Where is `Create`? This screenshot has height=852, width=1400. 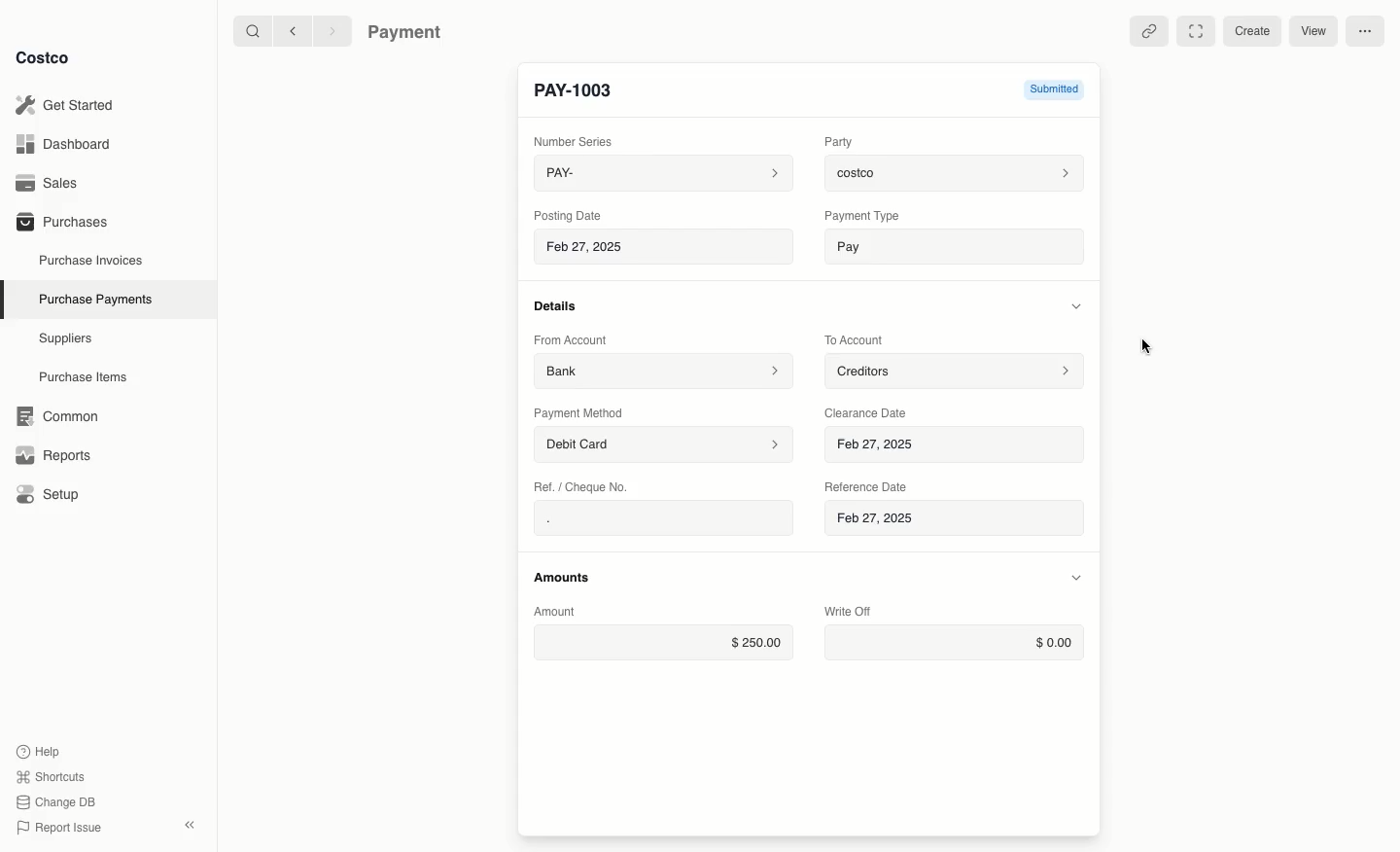
Create is located at coordinates (1254, 29).